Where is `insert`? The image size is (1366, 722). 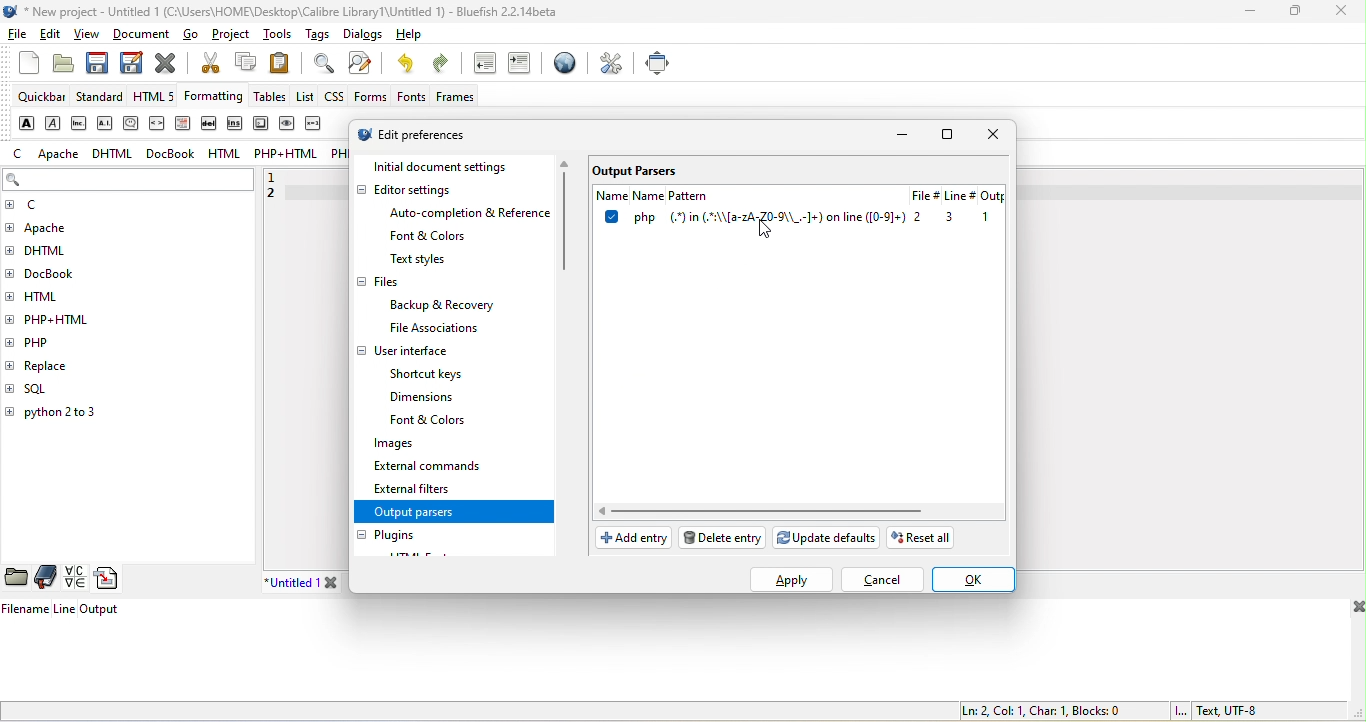
insert is located at coordinates (233, 125).